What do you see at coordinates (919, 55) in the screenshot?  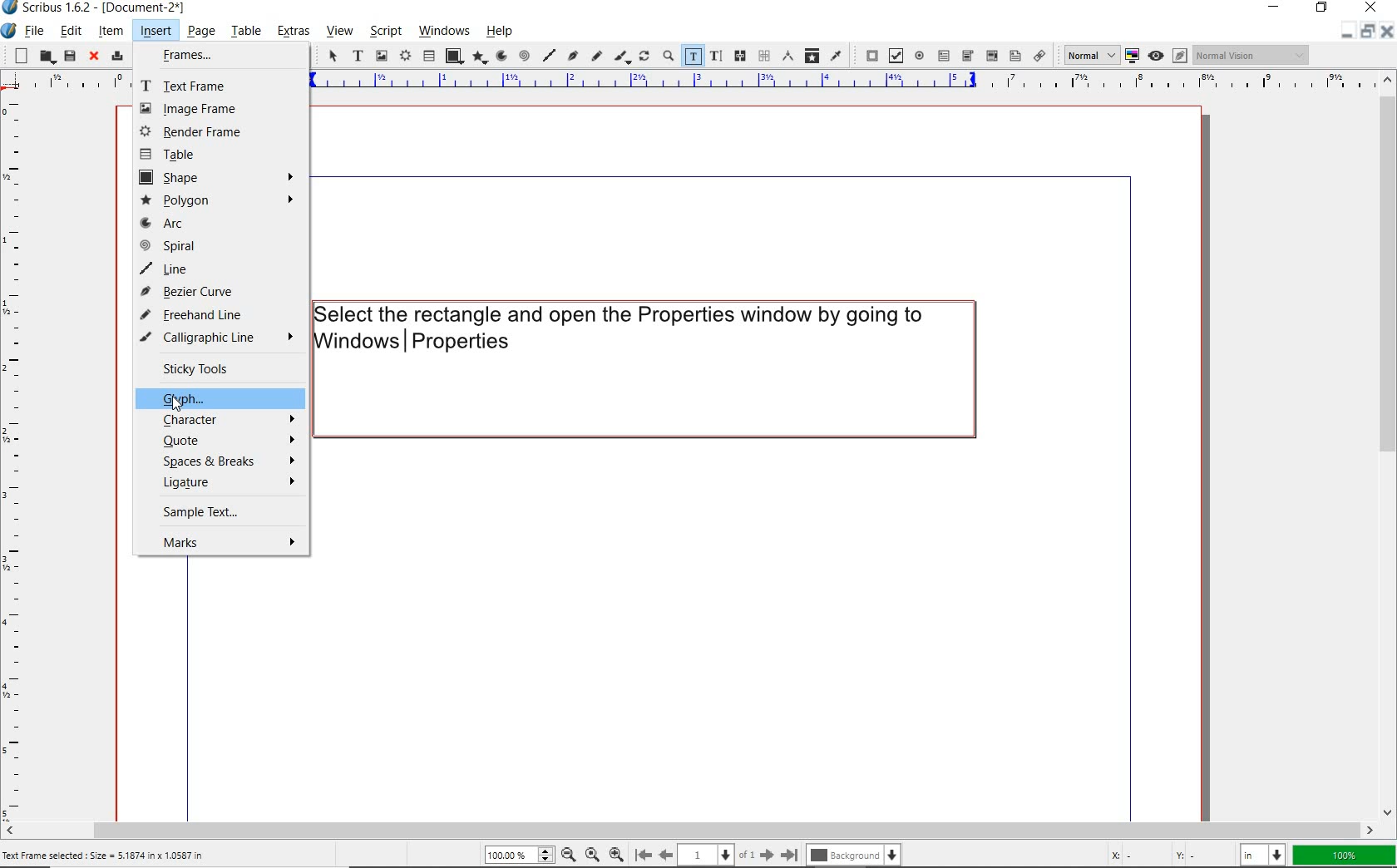 I see `pdf radio button` at bounding box center [919, 55].